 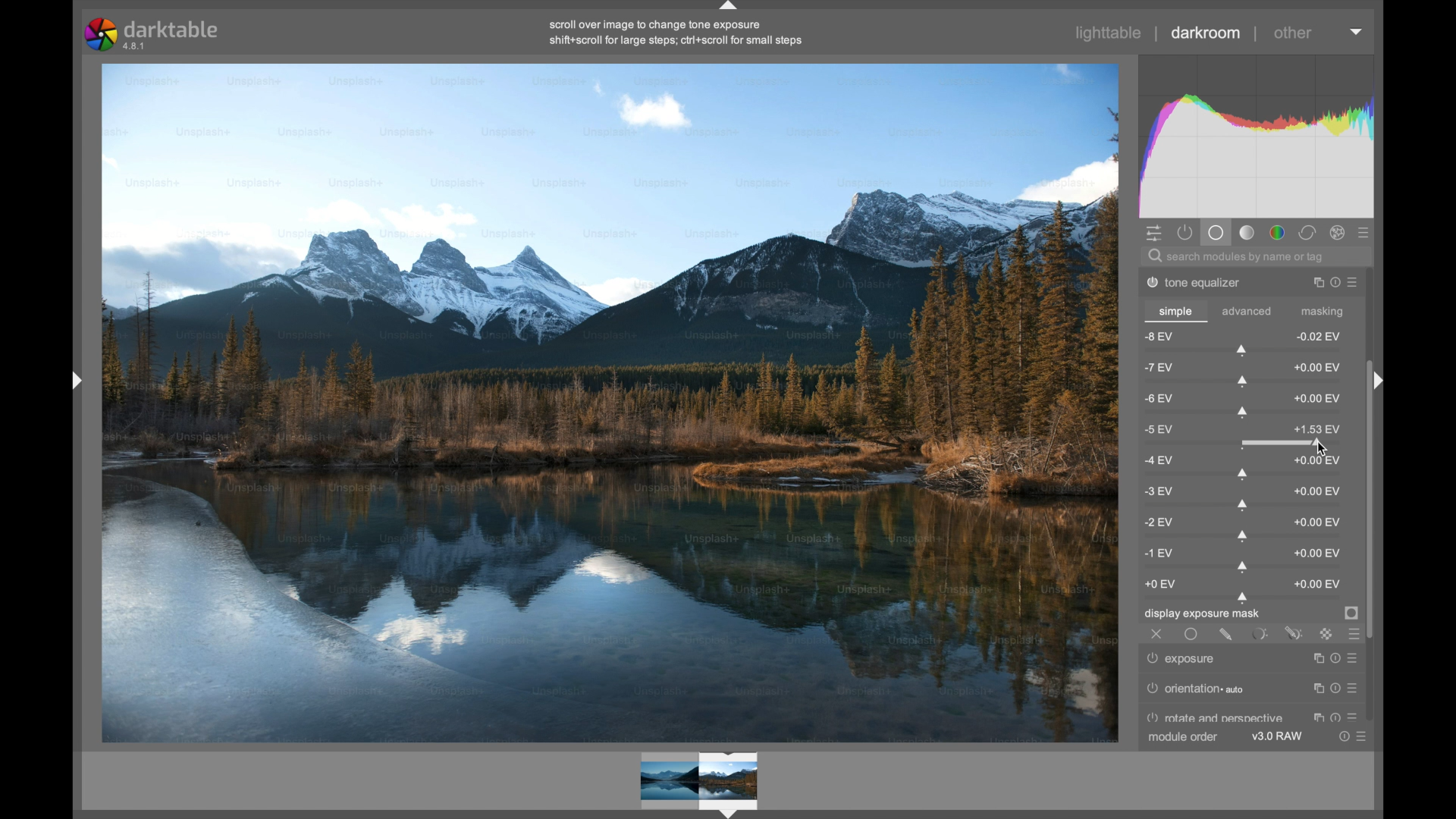 What do you see at coordinates (1316, 491) in the screenshot?
I see `0.00 ev` at bounding box center [1316, 491].